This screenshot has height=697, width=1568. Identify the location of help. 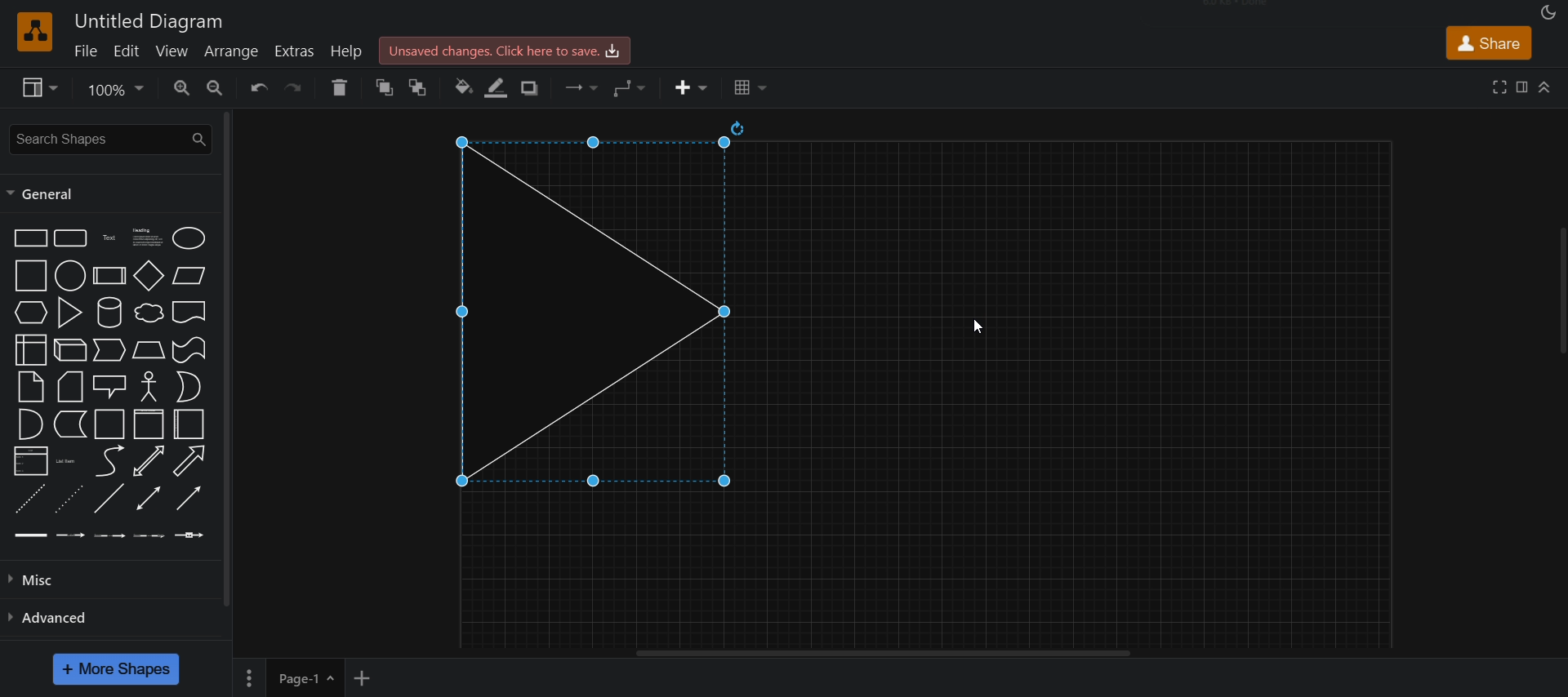
(354, 53).